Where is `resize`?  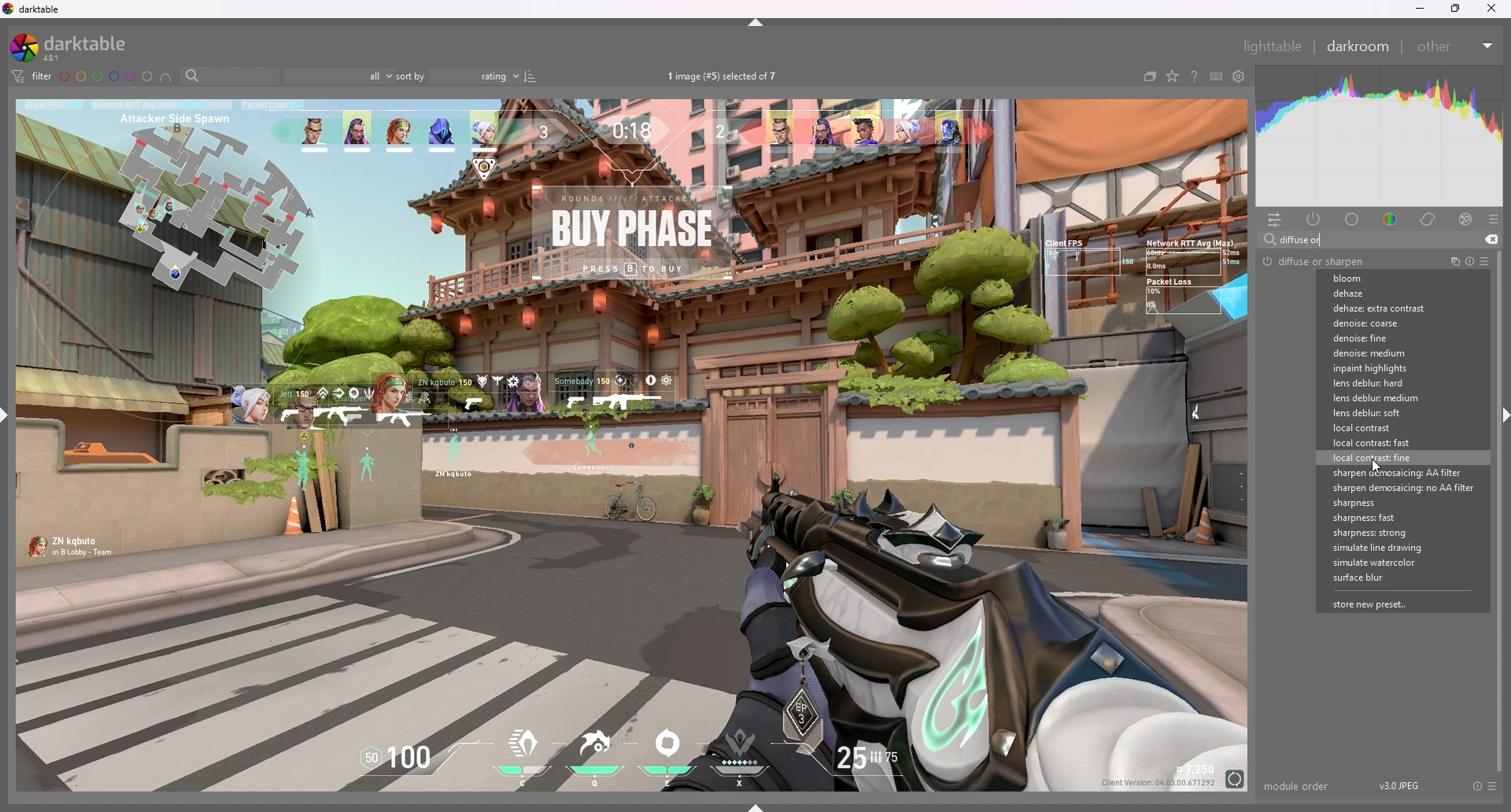
resize is located at coordinates (1456, 9).